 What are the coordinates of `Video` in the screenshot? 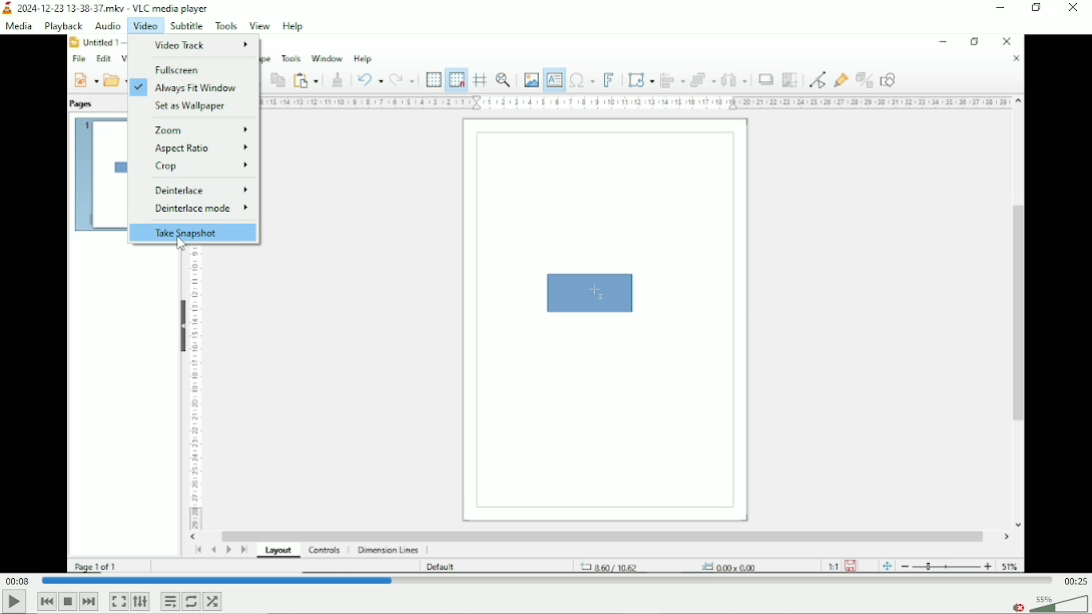 It's located at (145, 27).